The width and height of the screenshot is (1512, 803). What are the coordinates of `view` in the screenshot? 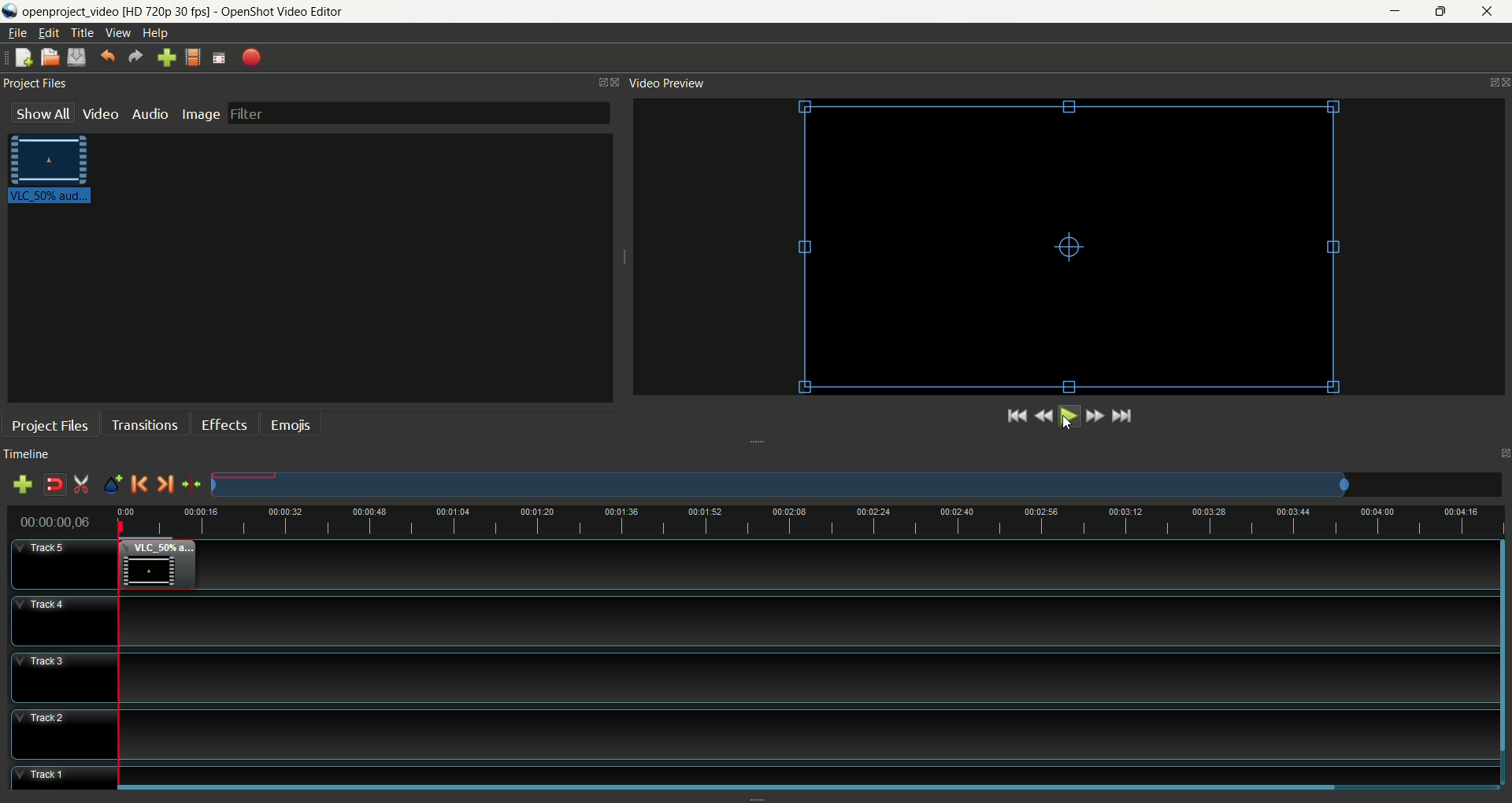 It's located at (117, 34).